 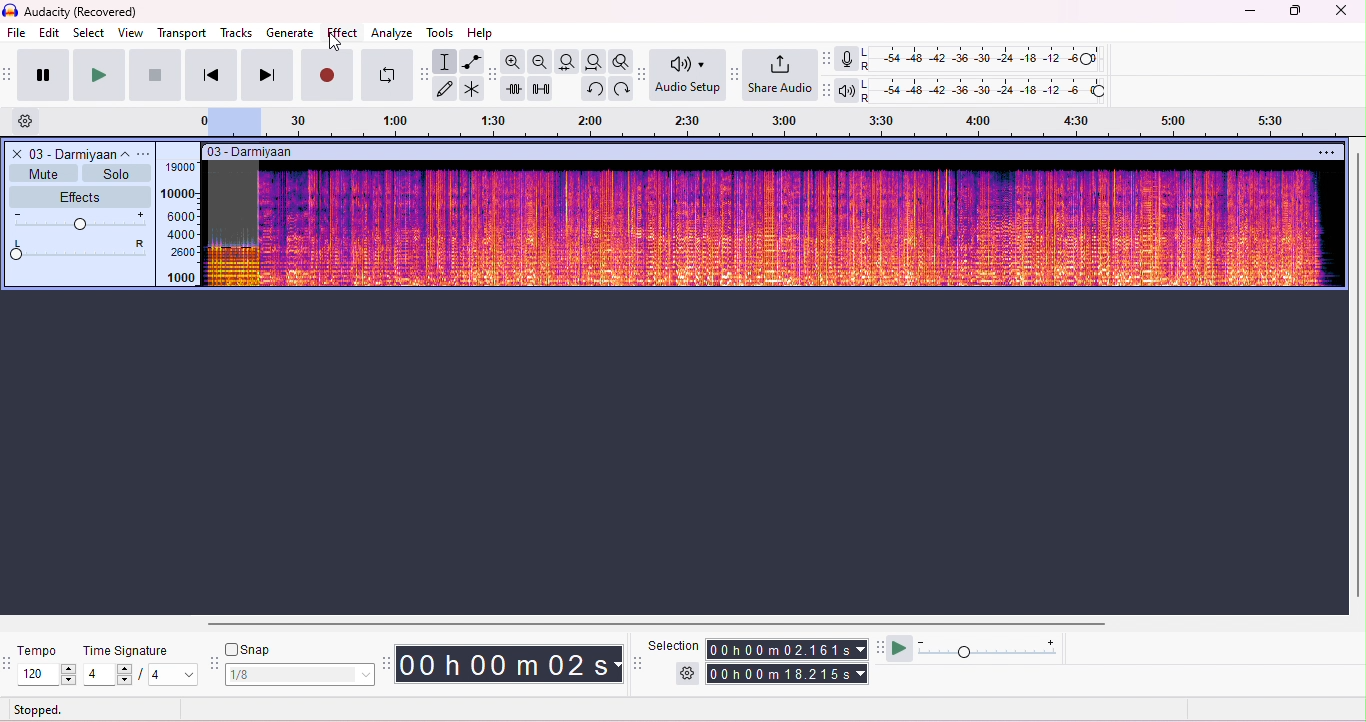 What do you see at coordinates (336, 44) in the screenshot?
I see `cursor movement` at bounding box center [336, 44].